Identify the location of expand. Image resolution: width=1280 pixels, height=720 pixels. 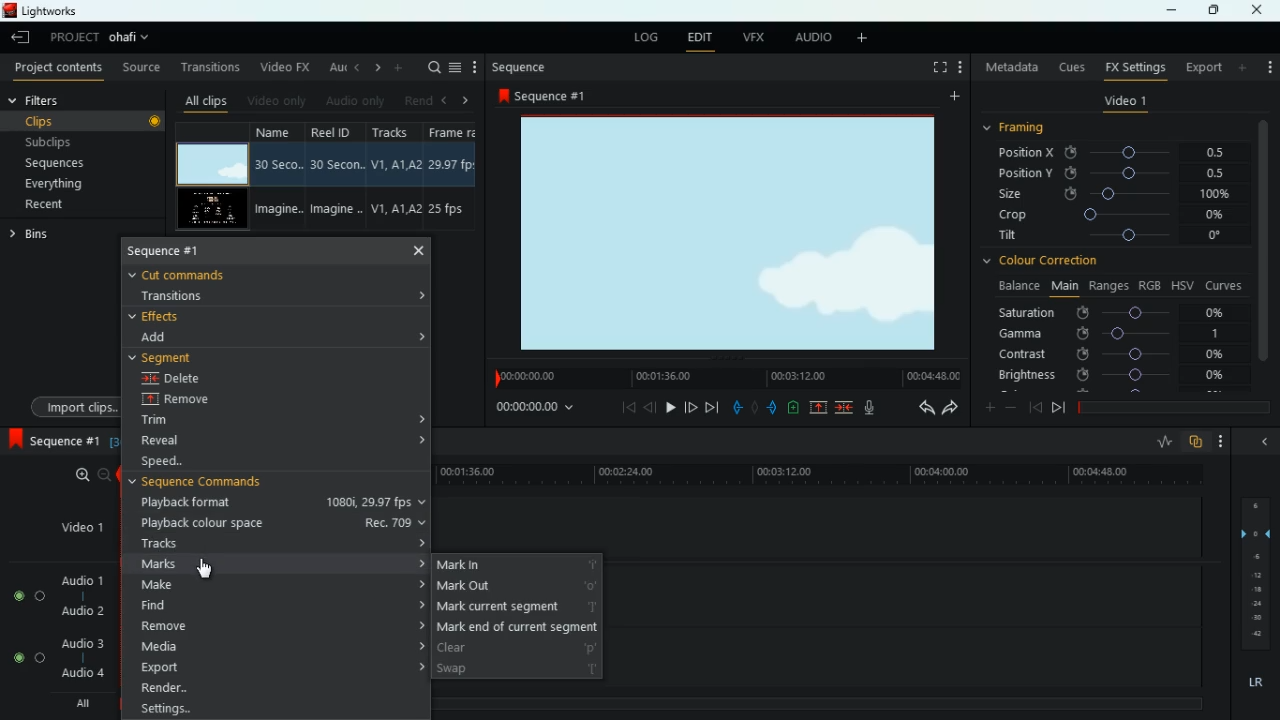
(411, 334).